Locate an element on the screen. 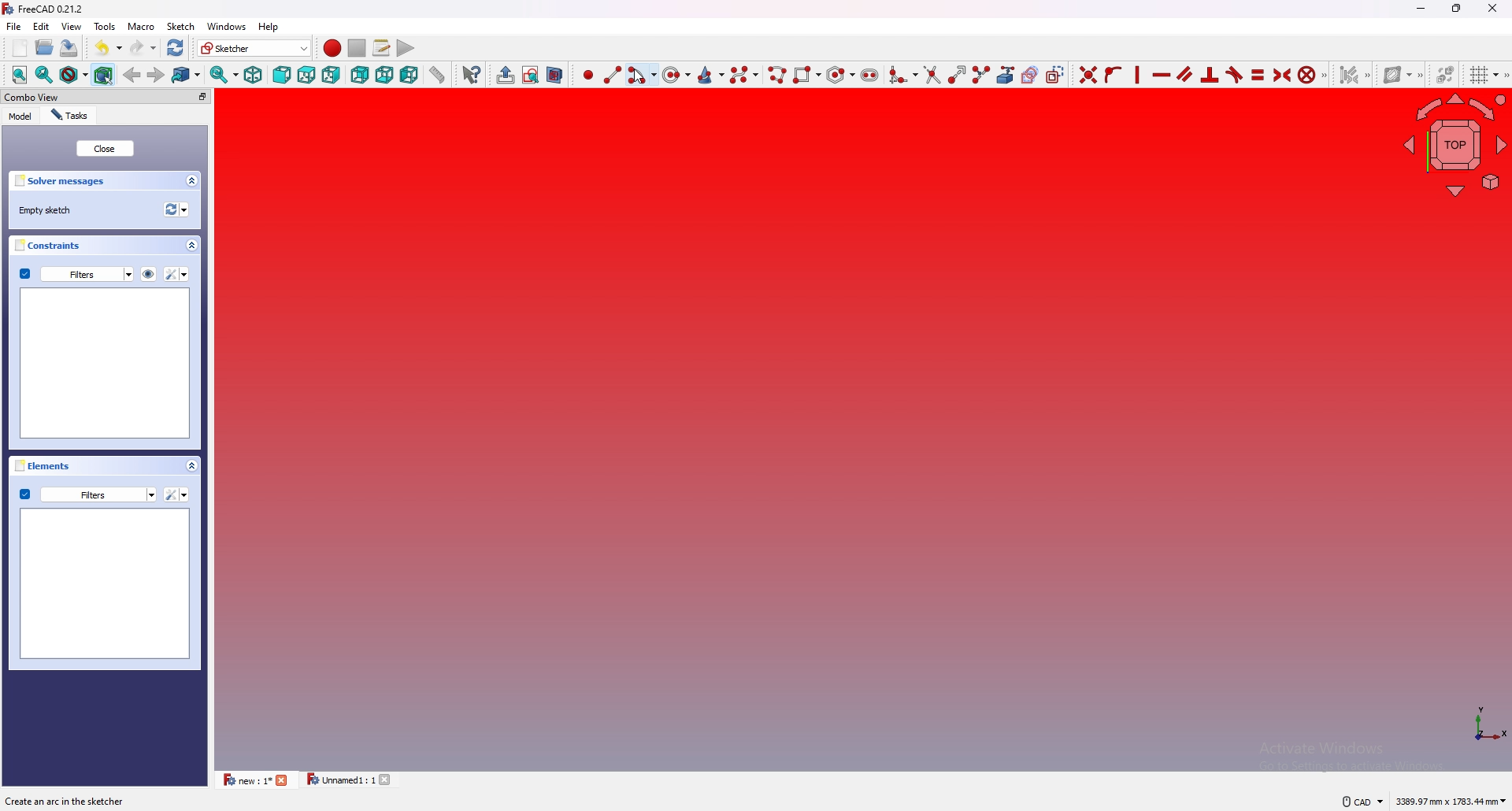 The height and width of the screenshot is (811, 1512). Sketch is located at coordinates (180, 26).